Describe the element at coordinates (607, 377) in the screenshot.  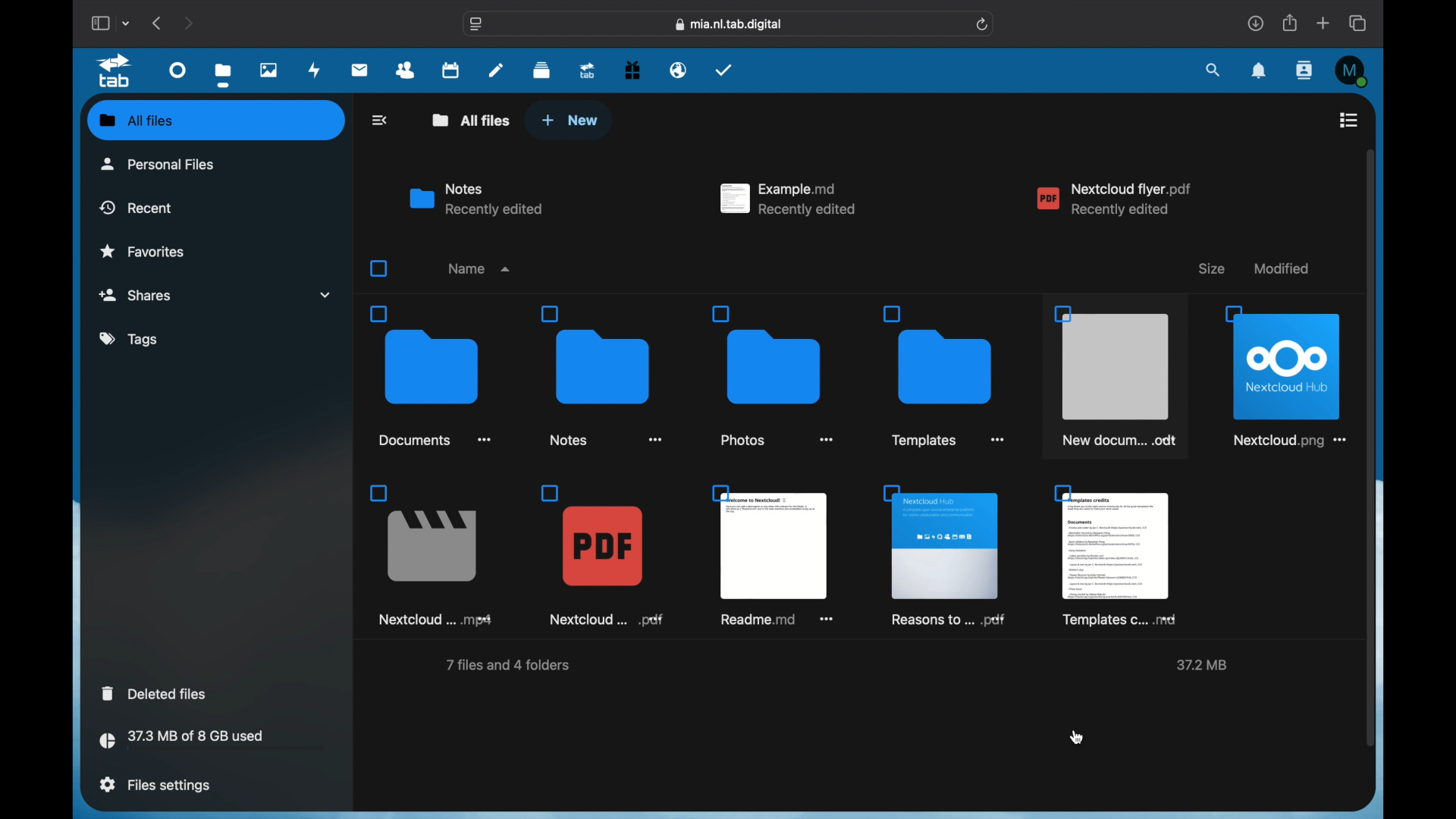
I see `folder` at that location.